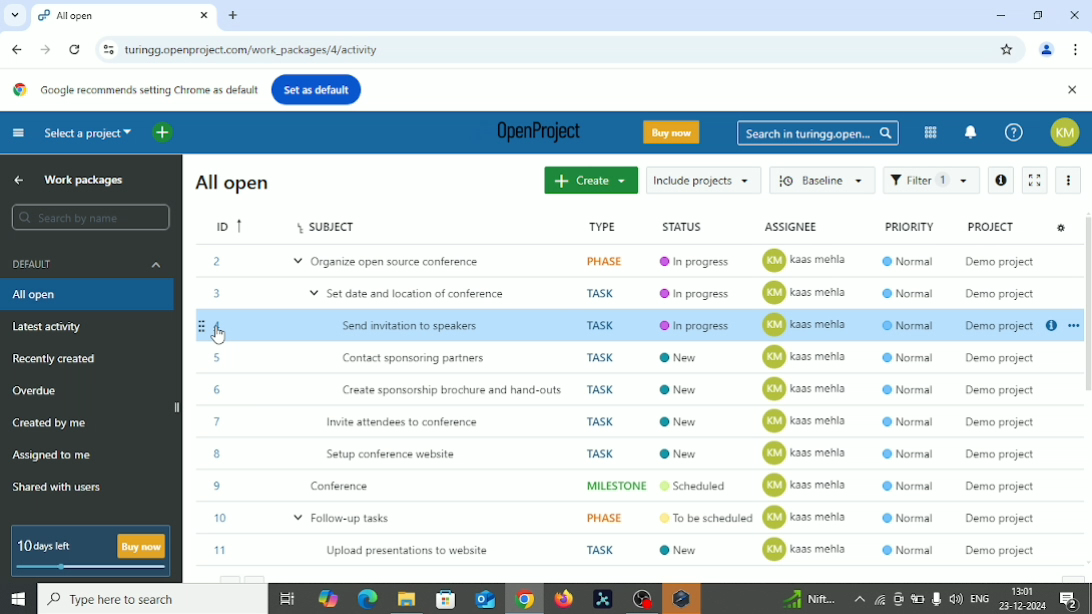 The image size is (1092, 614). I want to click on Pymol, so click(603, 600).